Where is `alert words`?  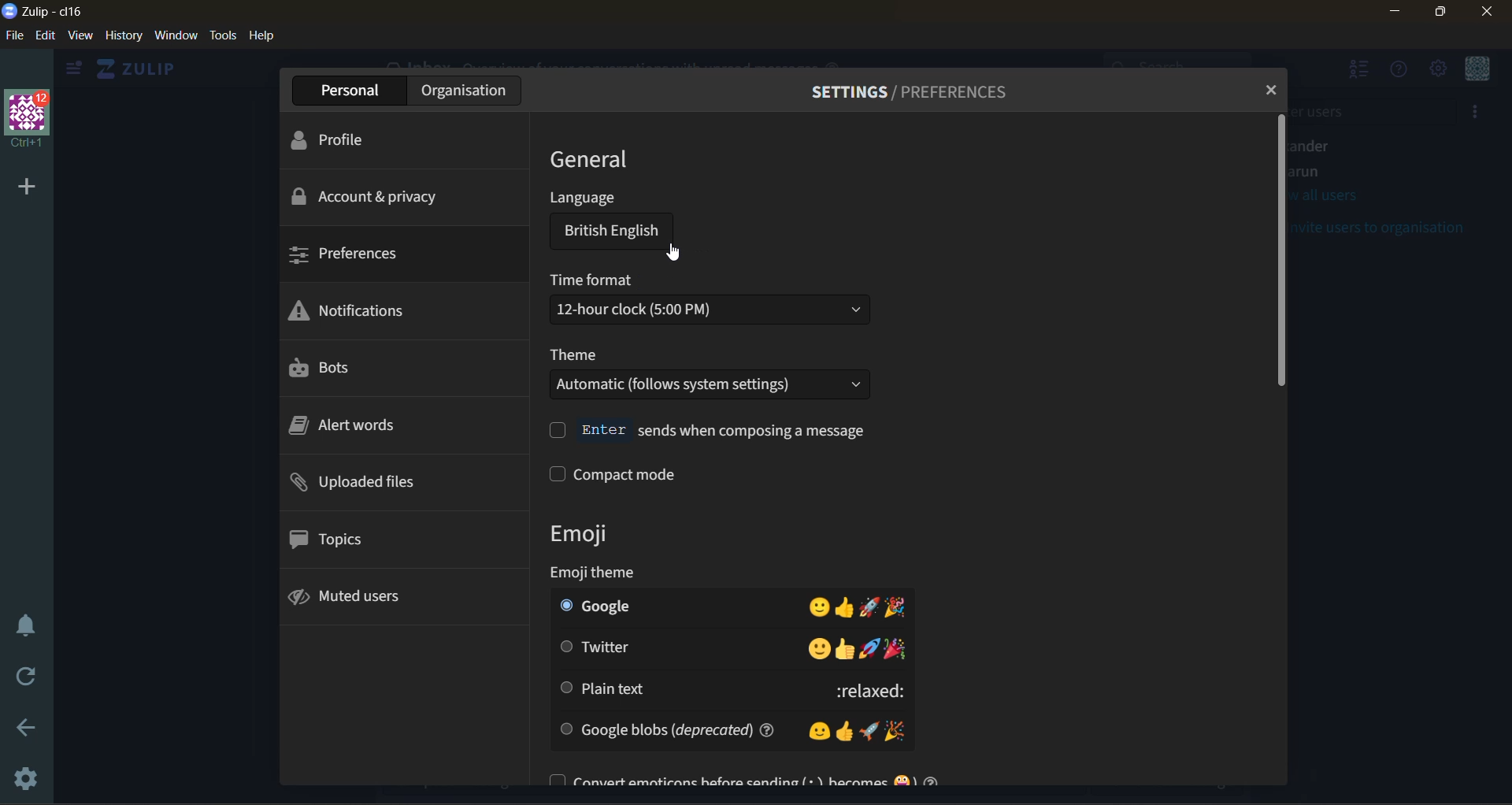 alert words is located at coordinates (344, 428).